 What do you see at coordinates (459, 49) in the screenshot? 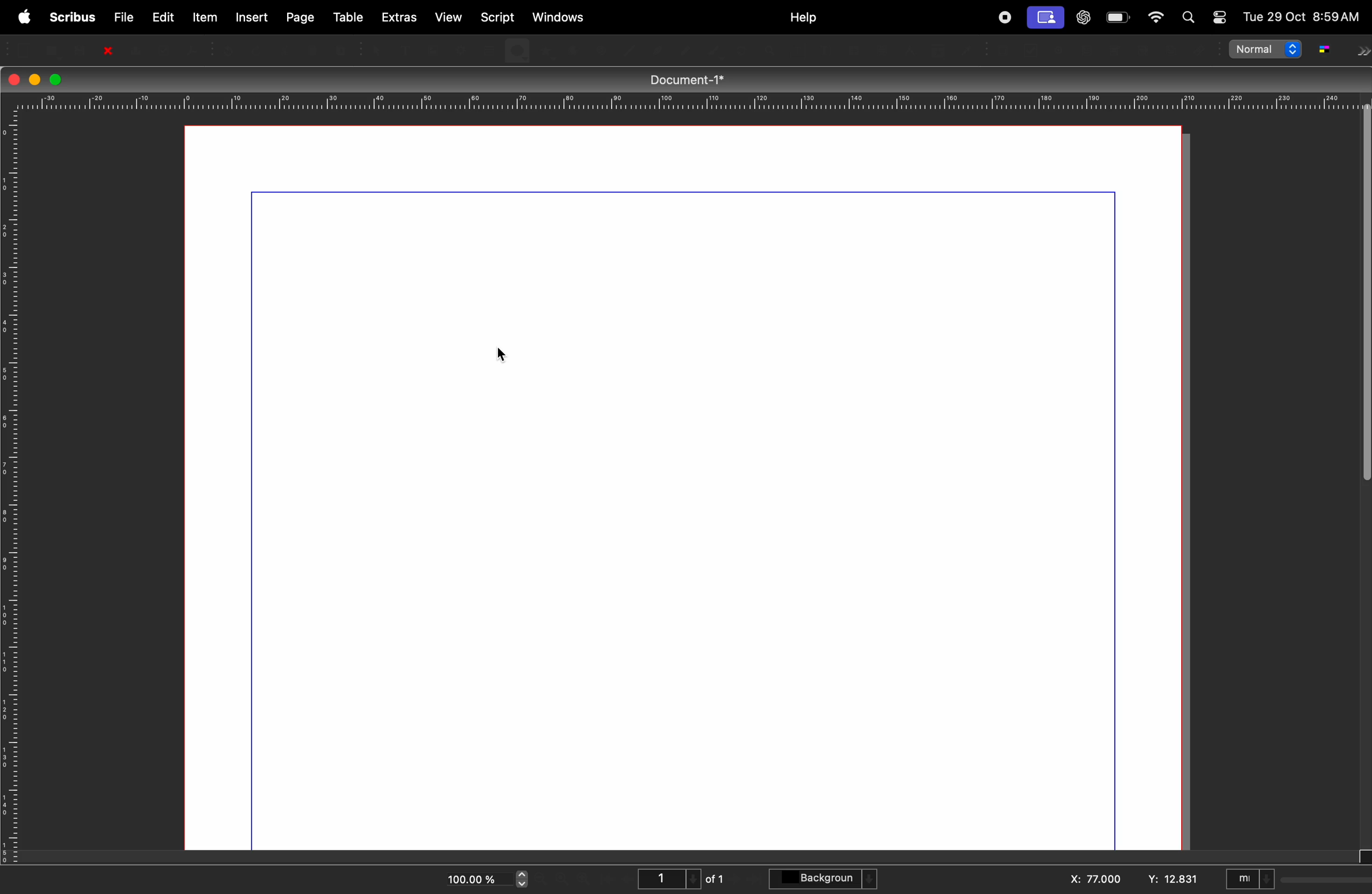
I see `Render frame` at bounding box center [459, 49].